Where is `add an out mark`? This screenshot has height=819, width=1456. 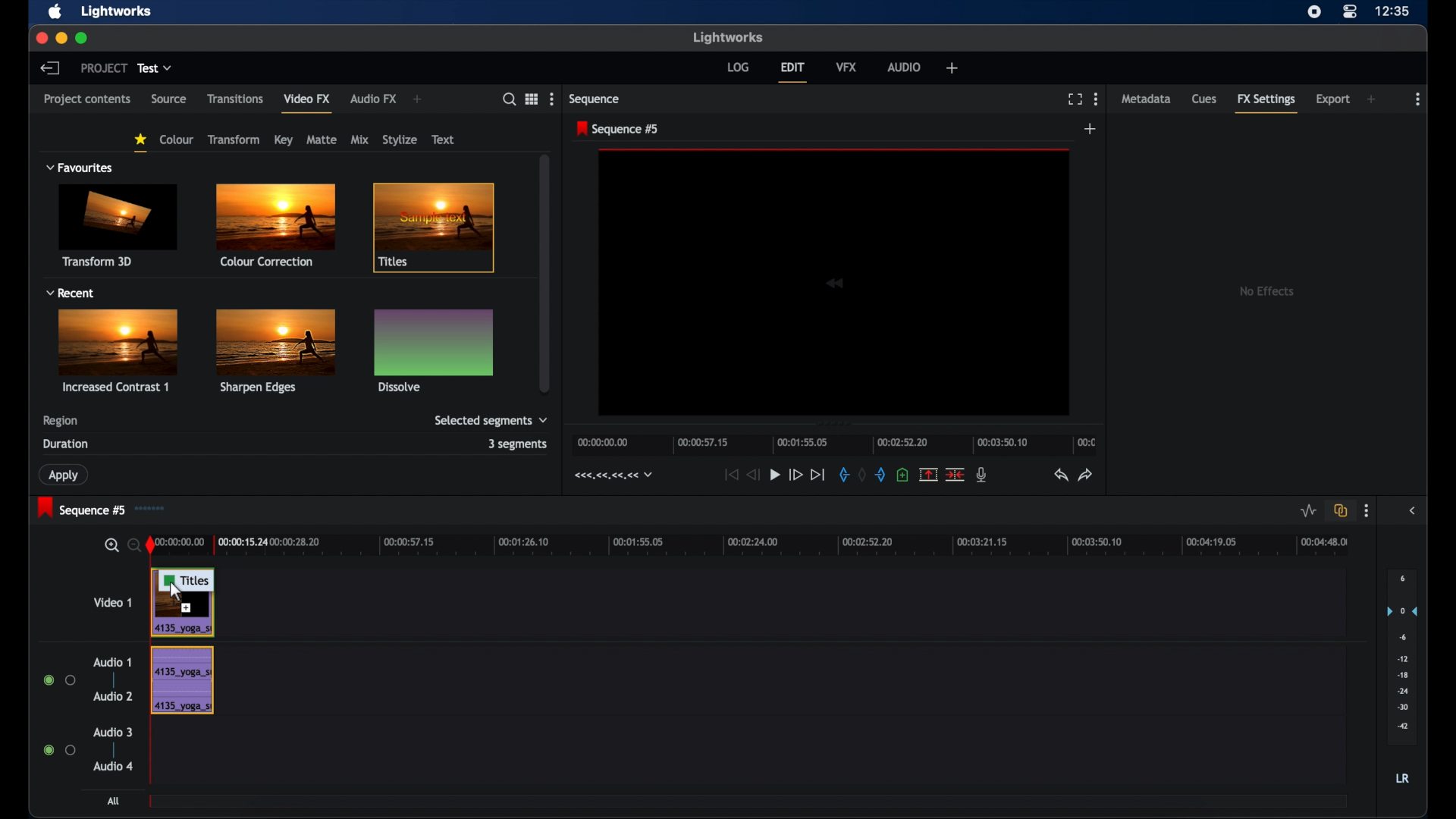
add an out mark is located at coordinates (880, 475).